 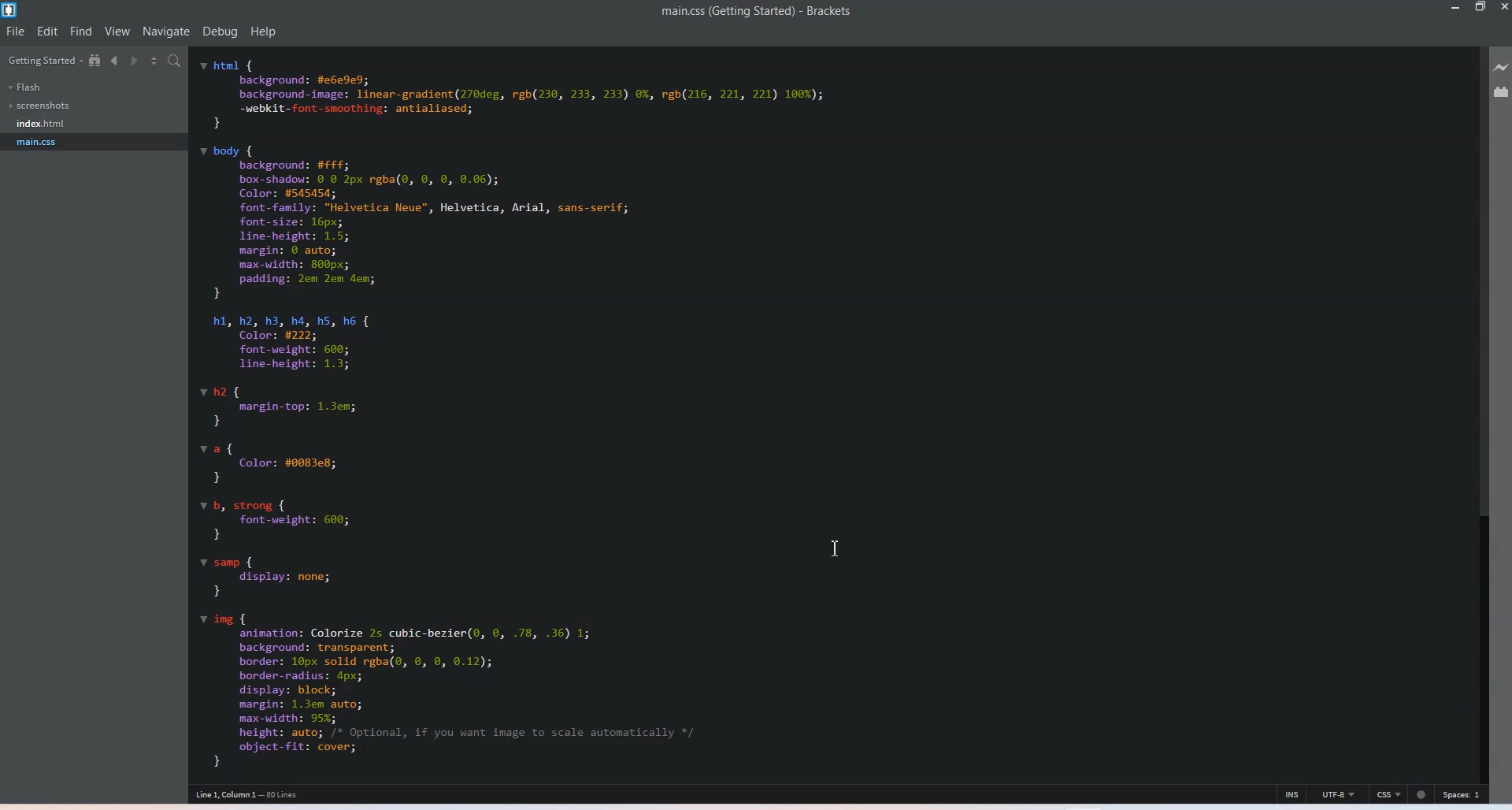 What do you see at coordinates (156, 61) in the screenshot?
I see `Split screen vertically and Horizontally` at bounding box center [156, 61].